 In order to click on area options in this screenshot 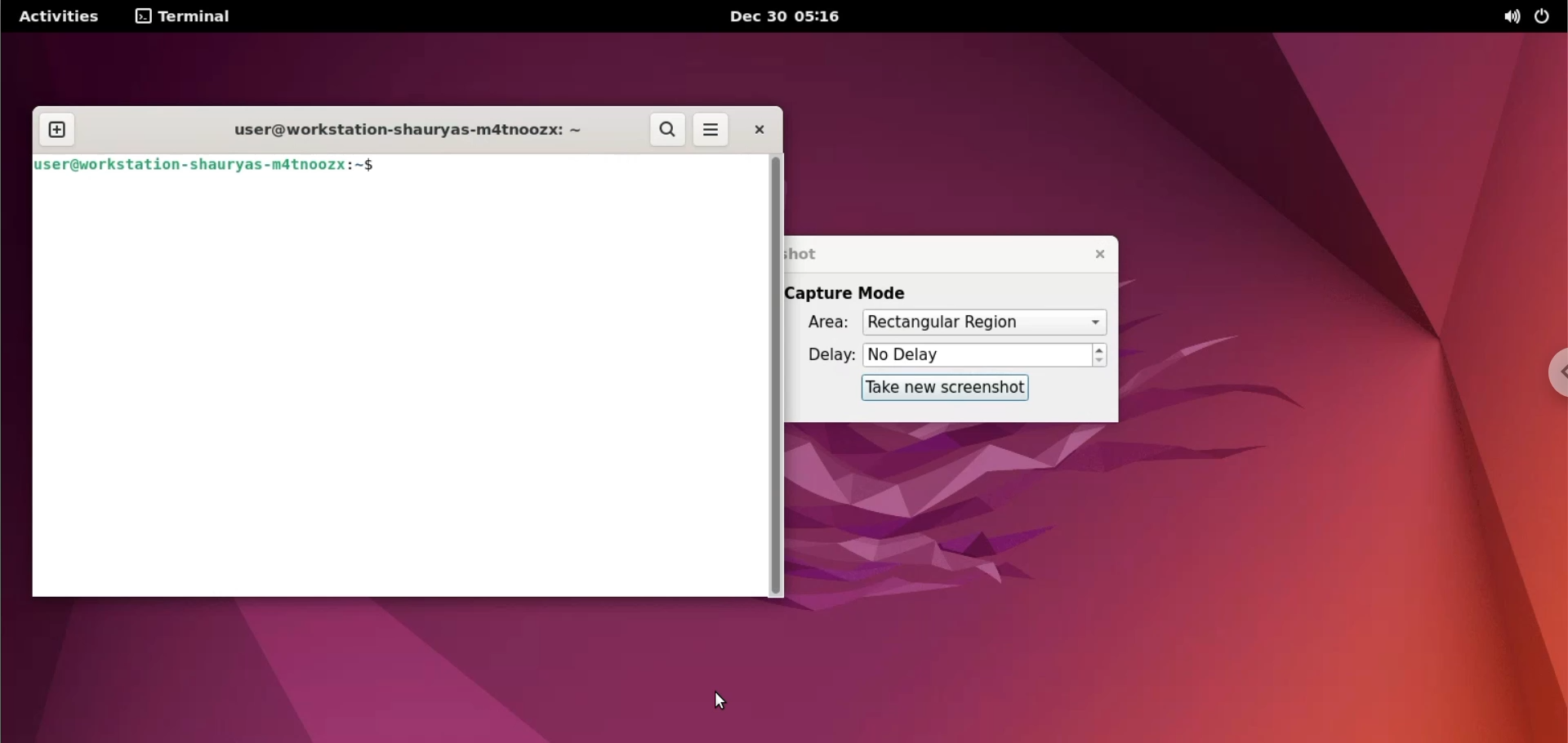, I will do `click(984, 323)`.